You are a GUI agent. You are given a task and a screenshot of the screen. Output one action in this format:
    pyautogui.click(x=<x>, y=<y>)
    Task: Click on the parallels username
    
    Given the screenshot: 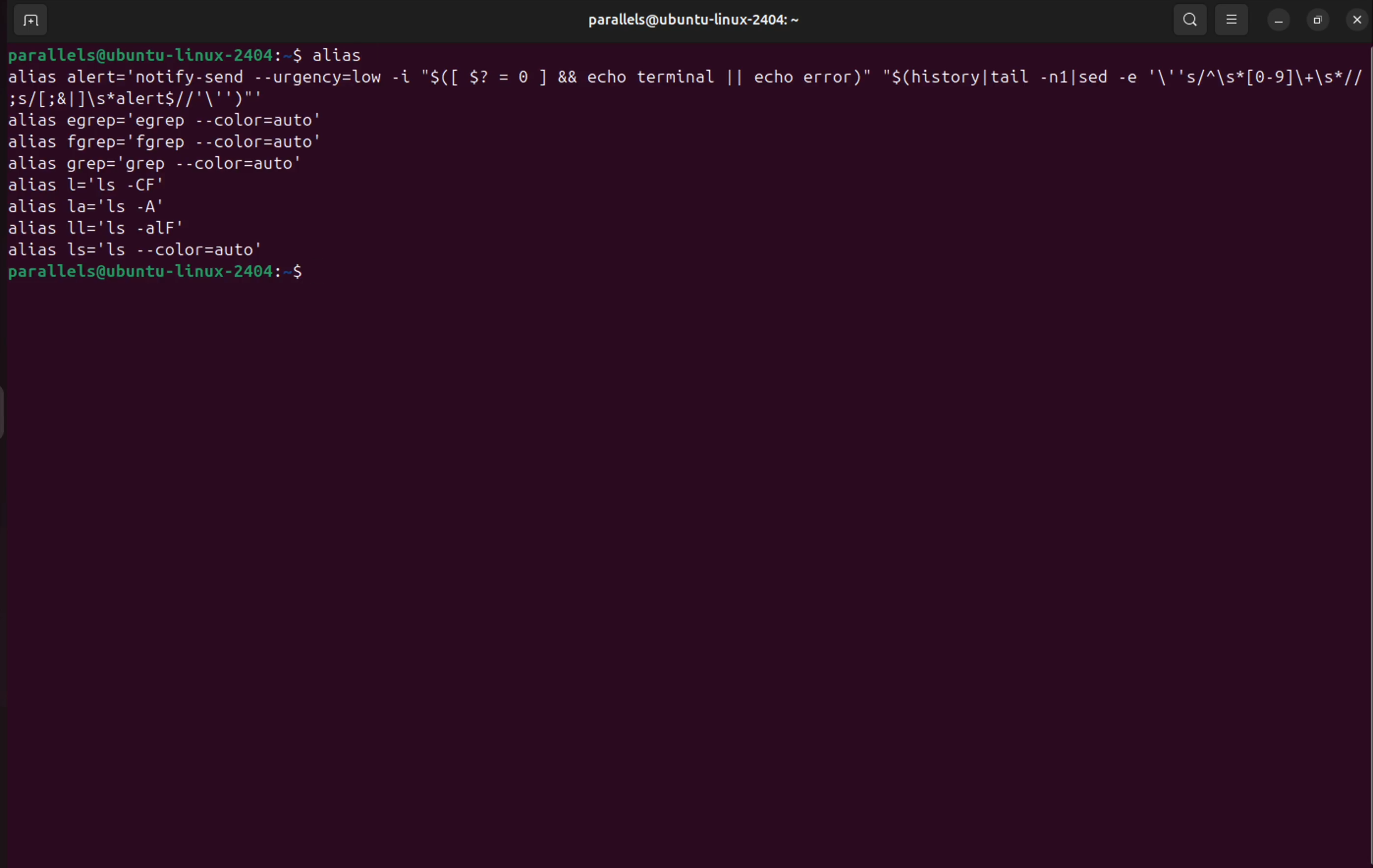 What is the action you would take?
    pyautogui.click(x=688, y=20)
    